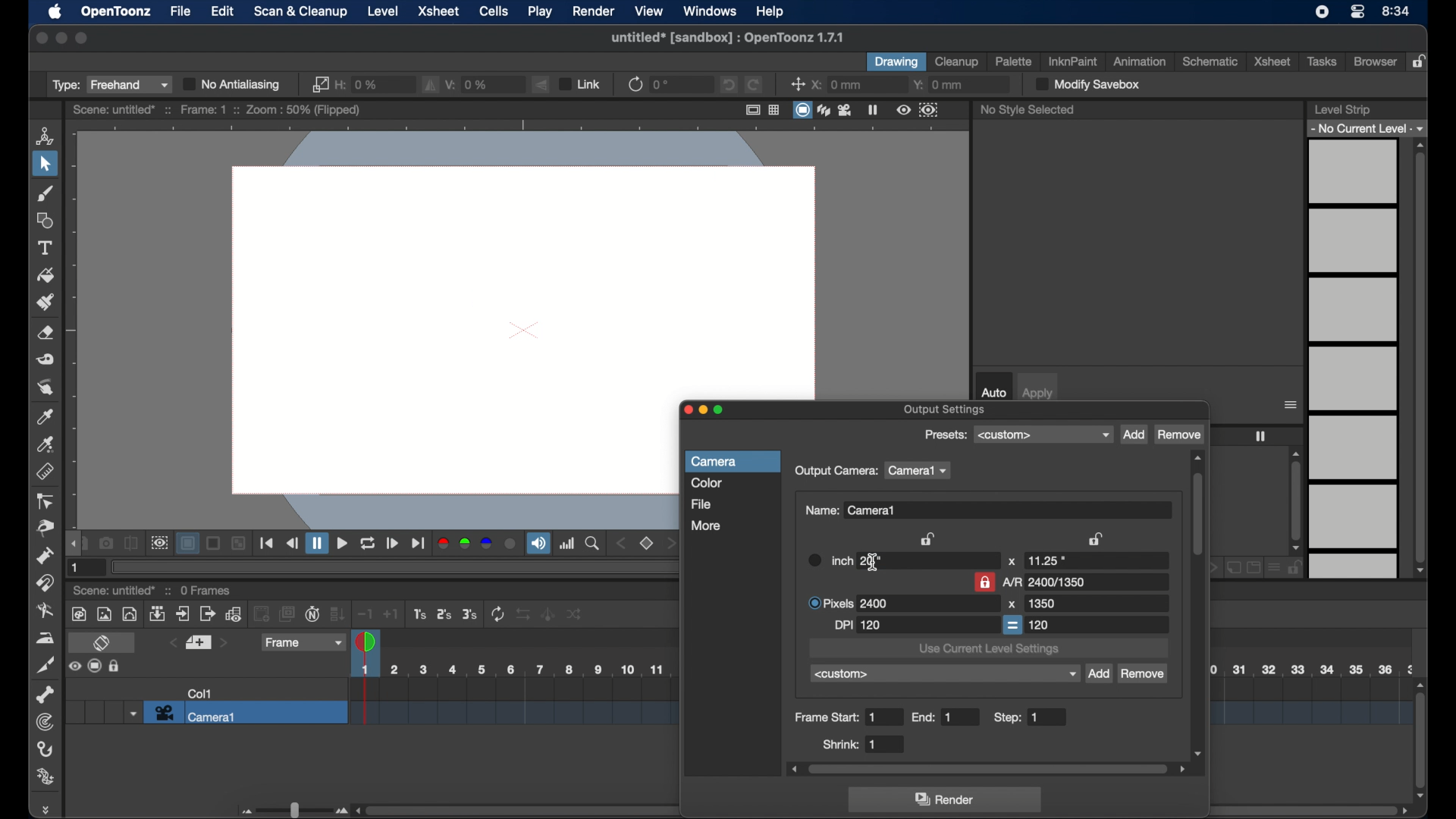  What do you see at coordinates (1028, 109) in the screenshot?
I see `no style selected` at bounding box center [1028, 109].